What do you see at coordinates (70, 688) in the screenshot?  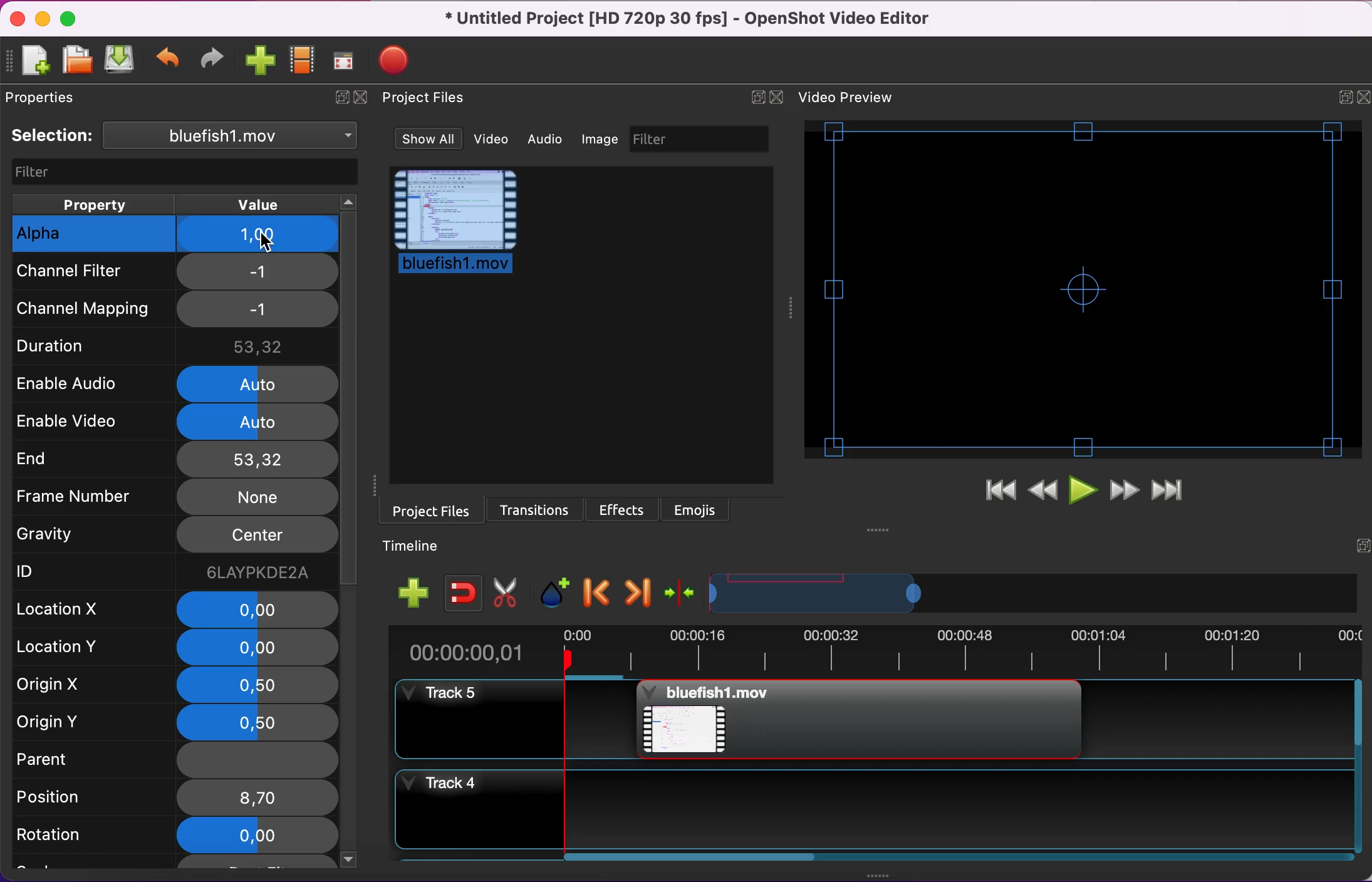 I see `rigin x` at bounding box center [70, 688].